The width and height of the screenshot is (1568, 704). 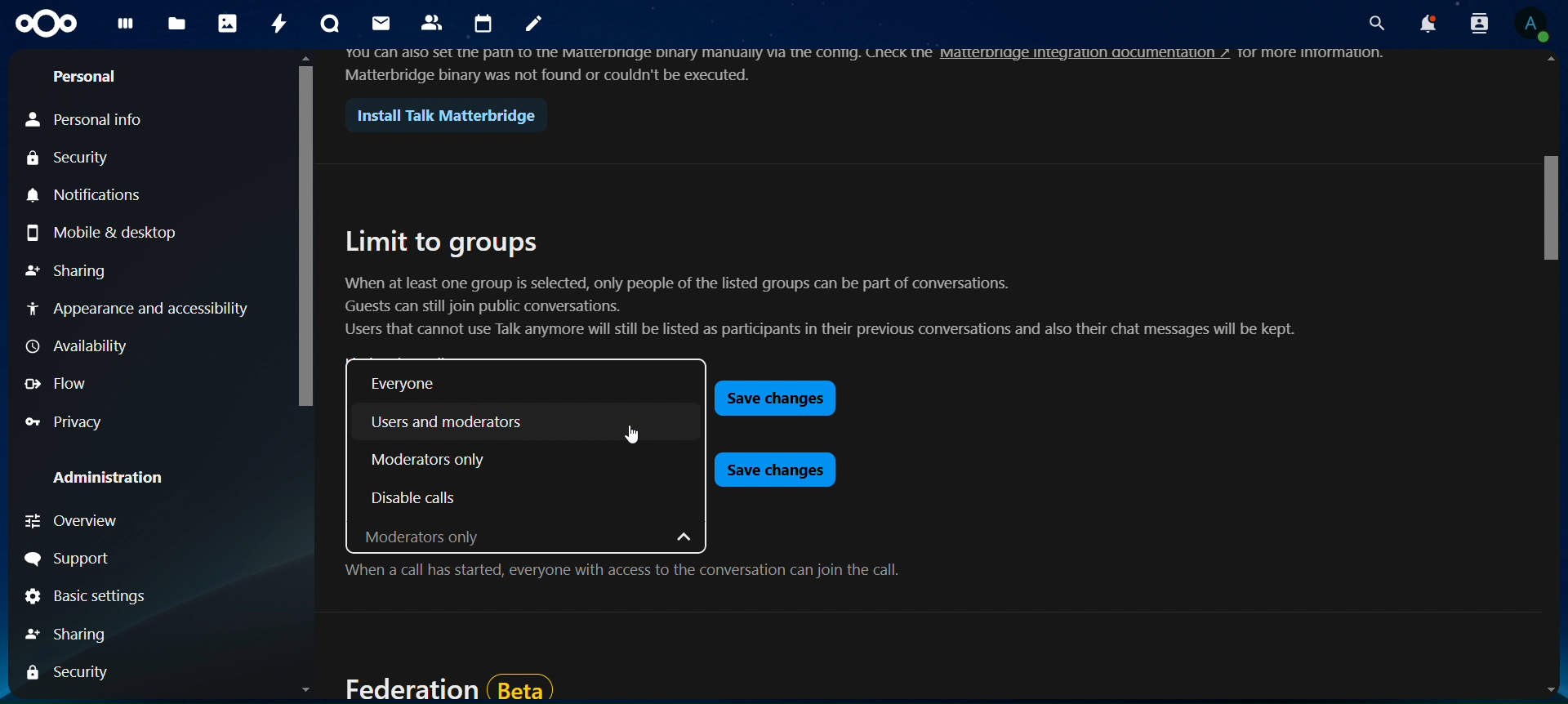 I want to click on personal, so click(x=90, y=78).